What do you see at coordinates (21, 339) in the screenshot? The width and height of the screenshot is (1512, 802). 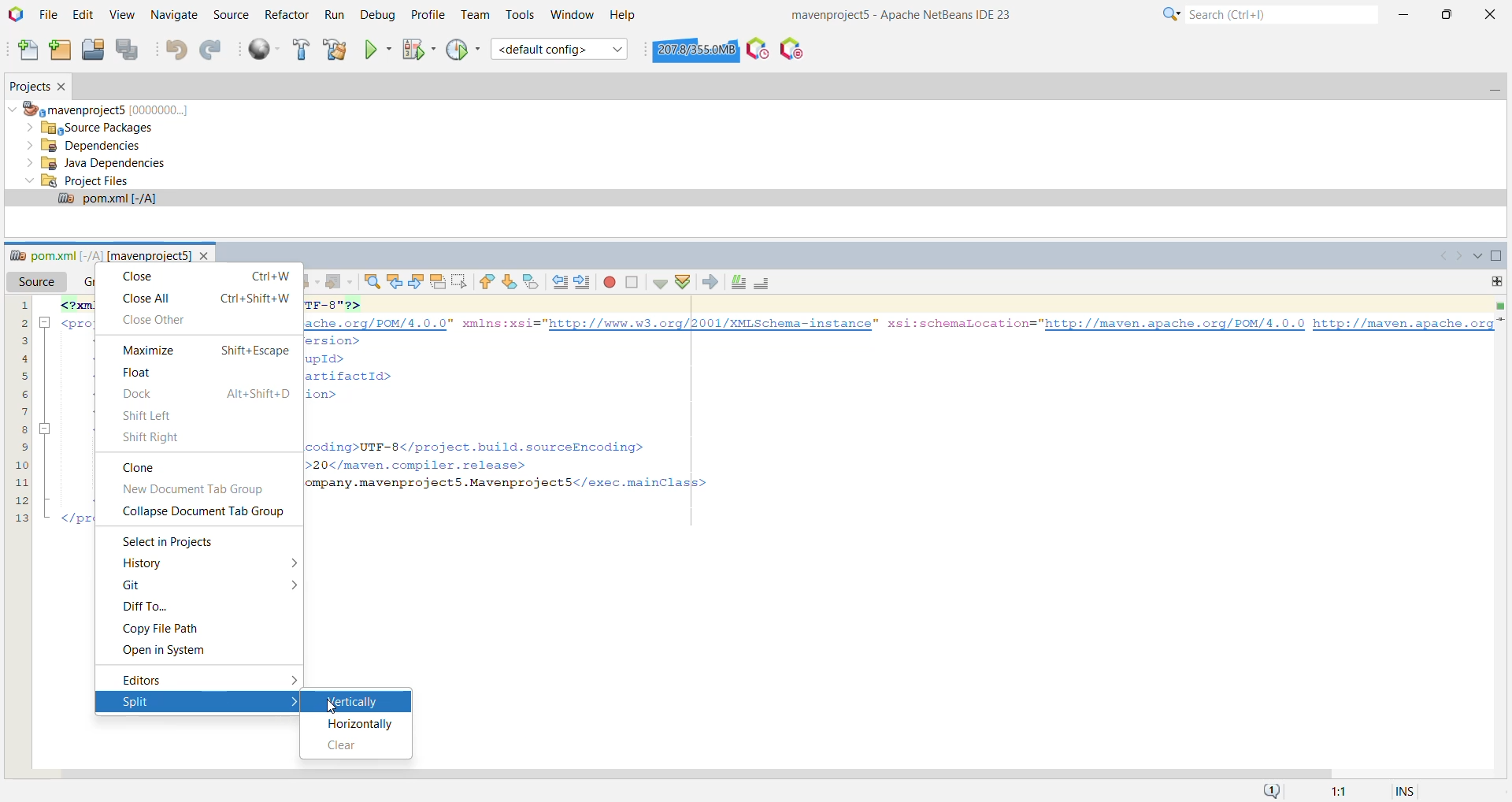 I see `3` at bounding box center [21, 339].